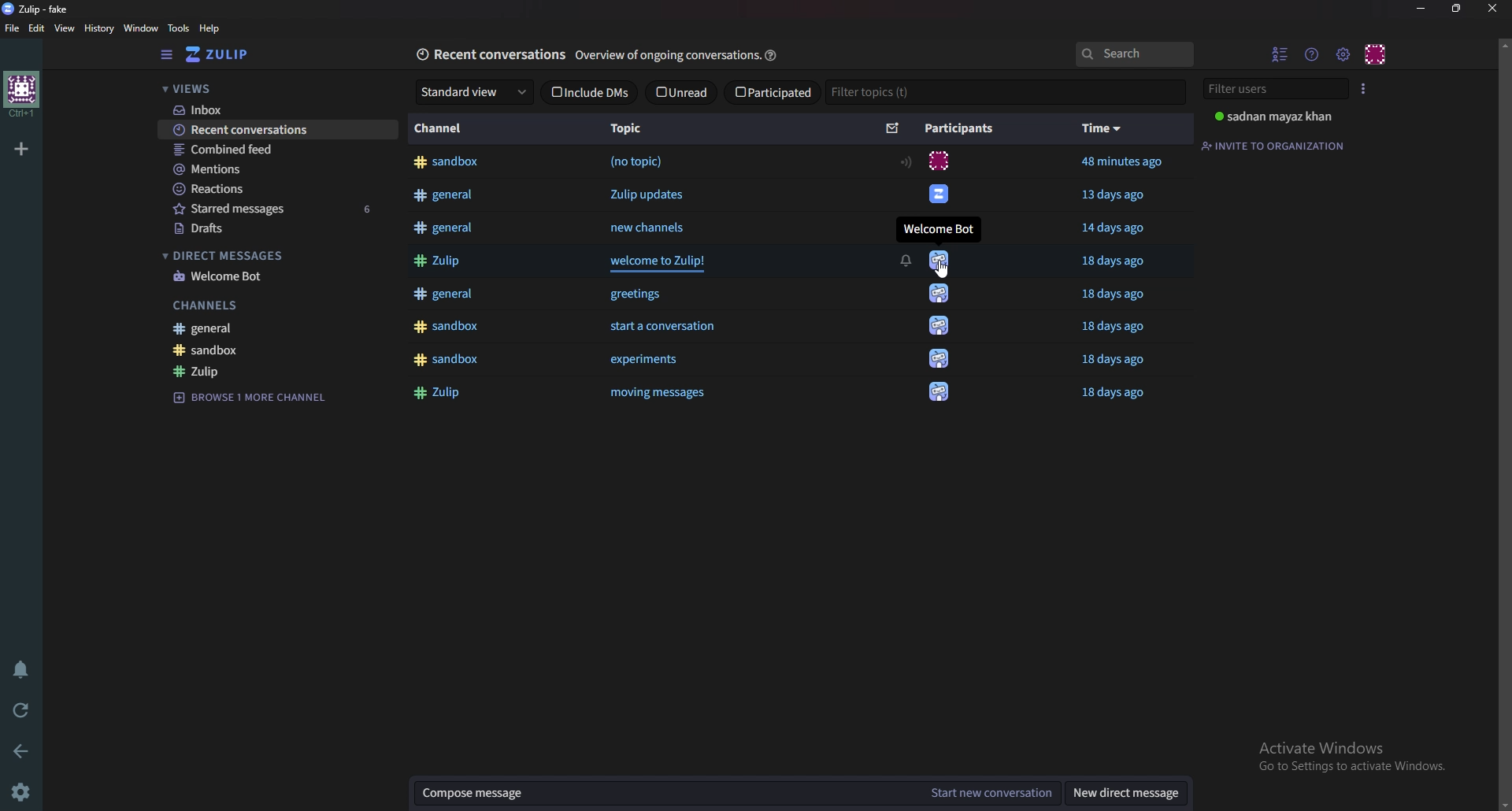  What do you see at coordinates (1114, 328) in the screenshot?
I see `18 days ago` at bounding box center [1114, 328].